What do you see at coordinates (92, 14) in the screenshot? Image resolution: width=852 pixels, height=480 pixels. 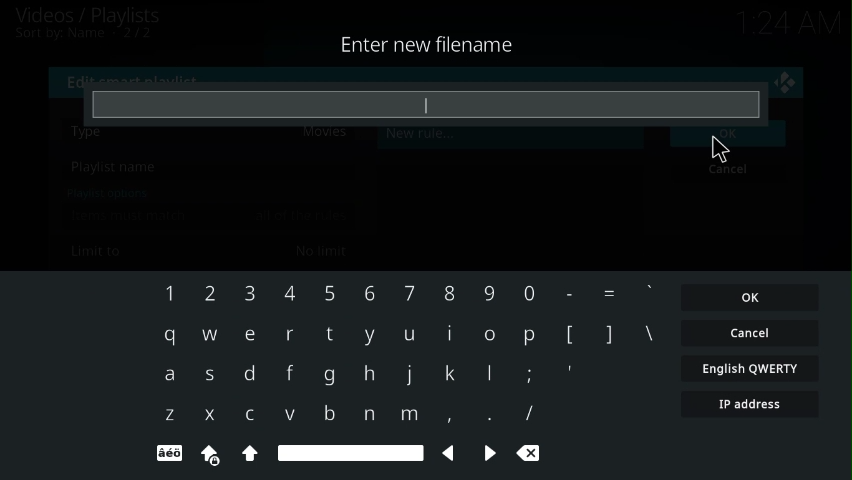 I see `videos` at bounding box center [92, 14].